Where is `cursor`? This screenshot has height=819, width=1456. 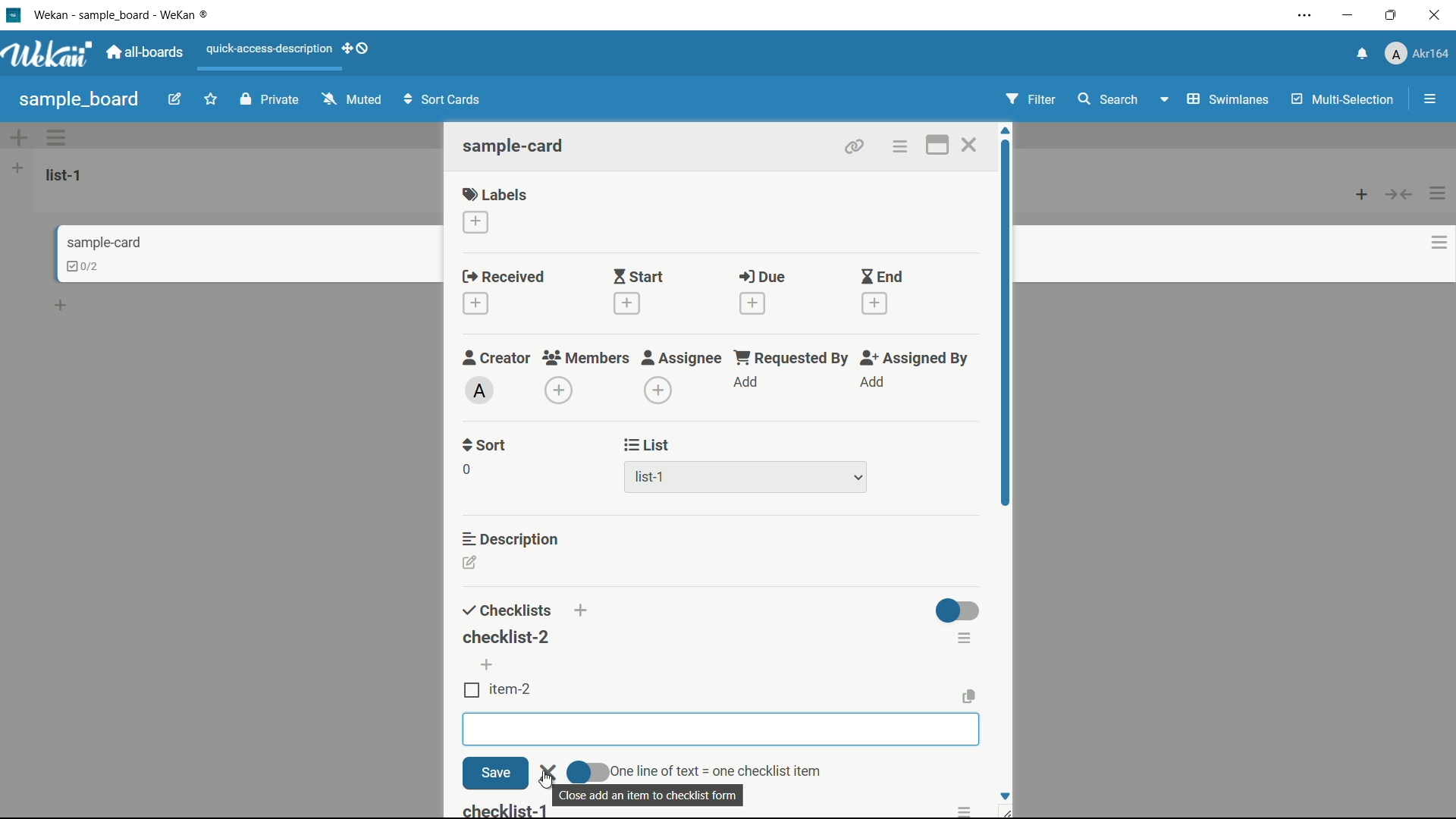
cursor is located at coordinates (547, 781).